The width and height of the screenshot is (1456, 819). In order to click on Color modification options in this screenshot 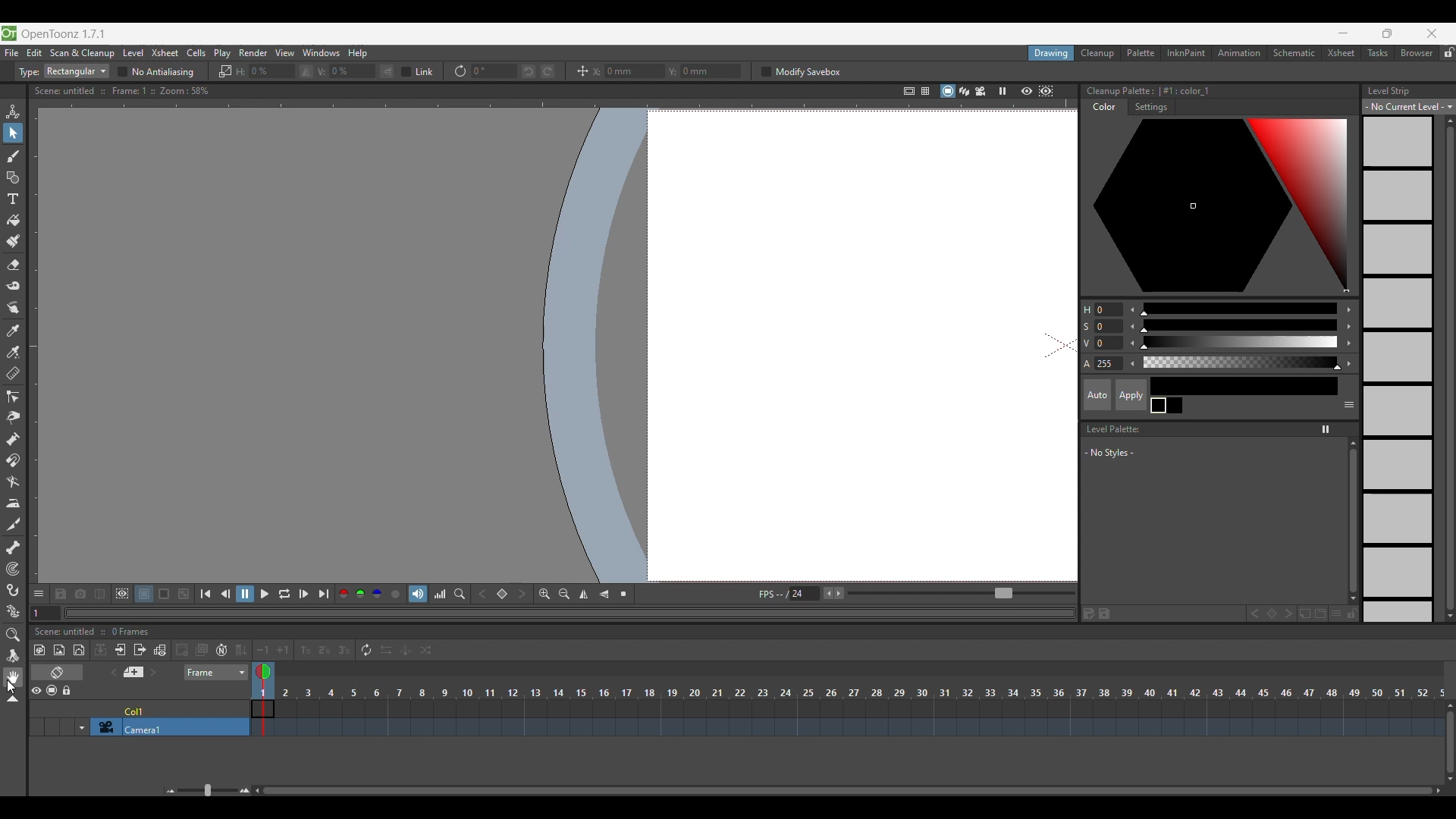, I will do `click(1087, 337)`.